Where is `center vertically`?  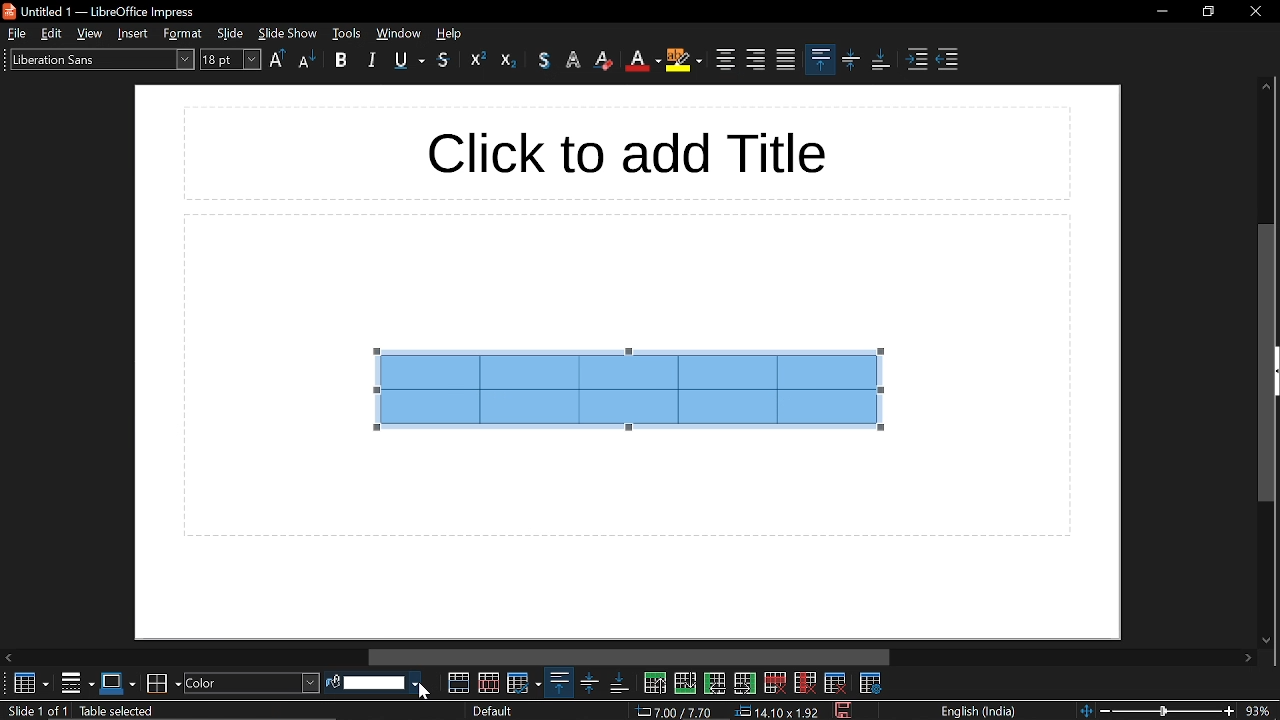
center vertically is located at coordinates (853, 62).